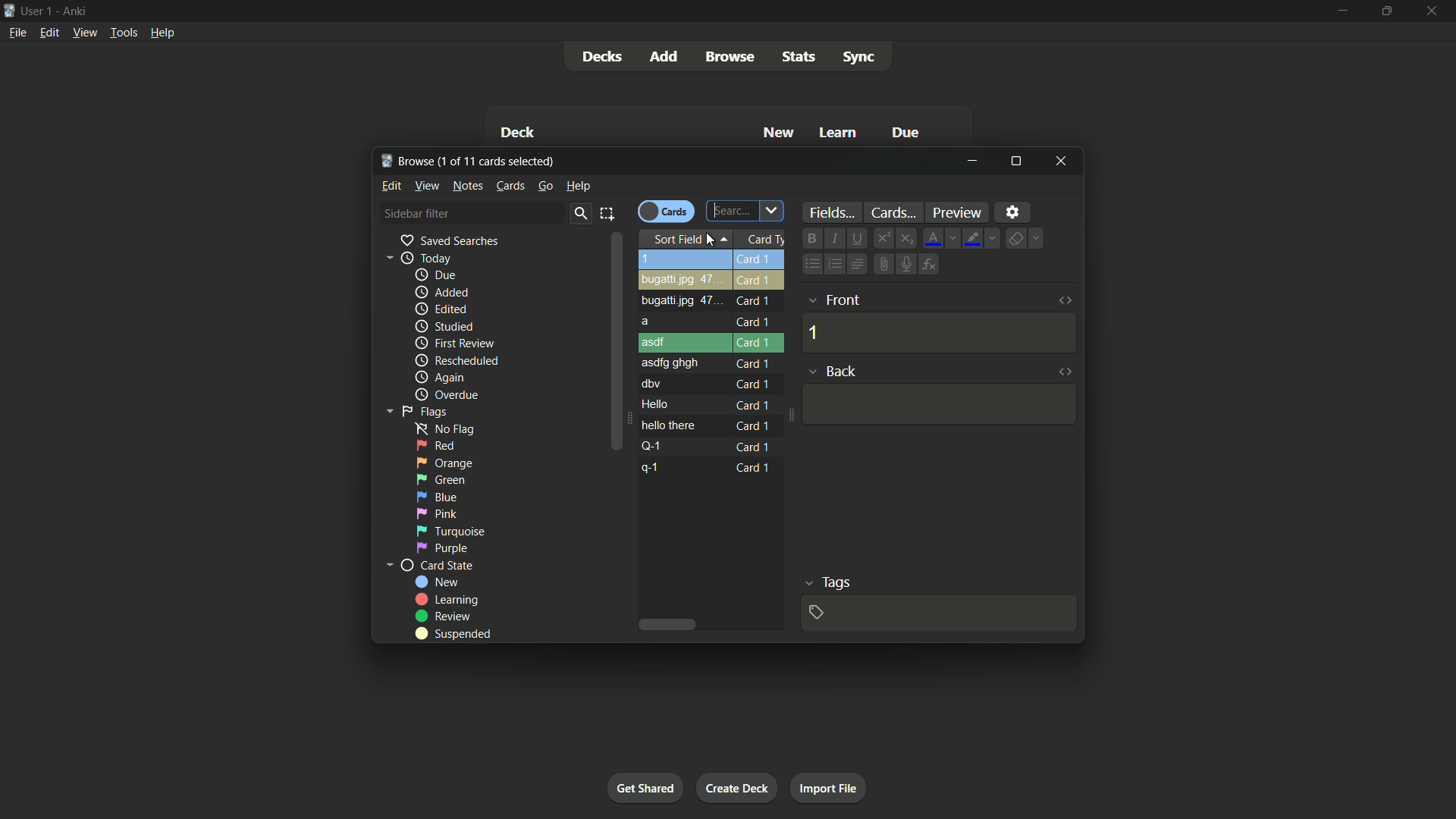 The image size is (1456, 819). What do you see at coordinates (680, 279) in the screenshot?
I see `bugatti.jpg 47` at bounding box center [680, 279].